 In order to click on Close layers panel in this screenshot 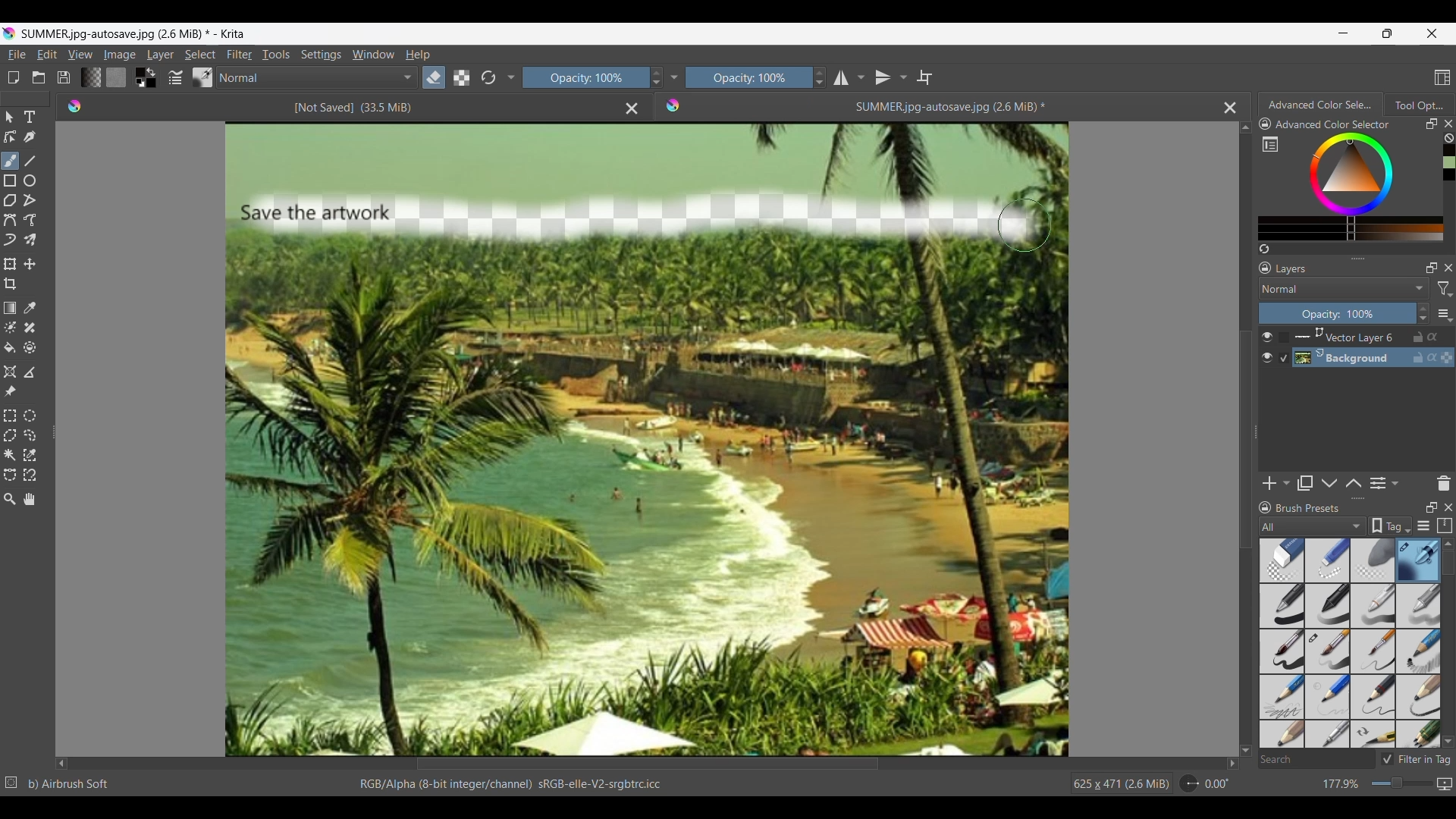, I will do `click(1446, 268)`.